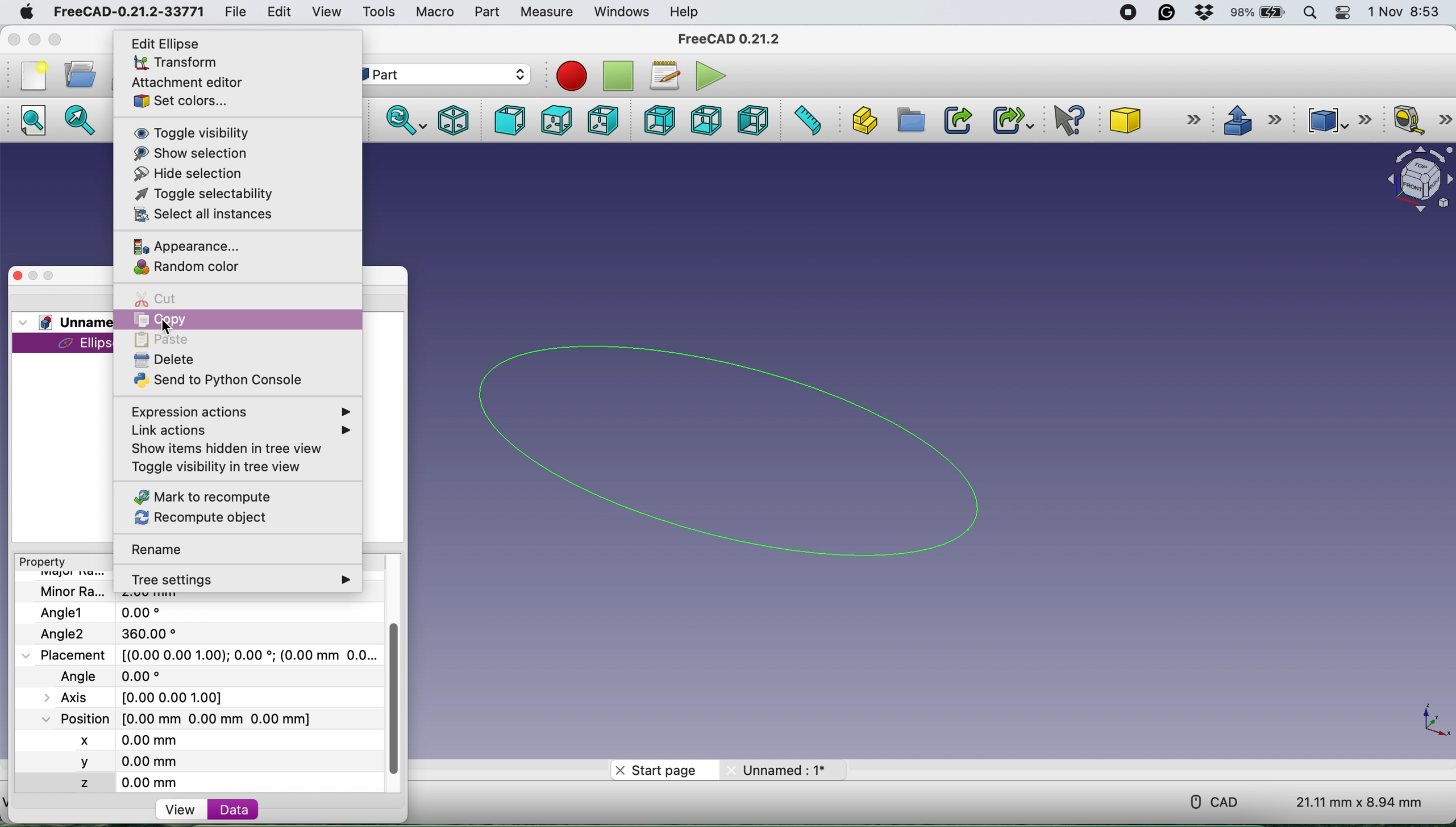 This screenshot has width=1456, height=827. Describe the element at coordinates (128, 675) in the screenshot. I see `last modified` at that location.